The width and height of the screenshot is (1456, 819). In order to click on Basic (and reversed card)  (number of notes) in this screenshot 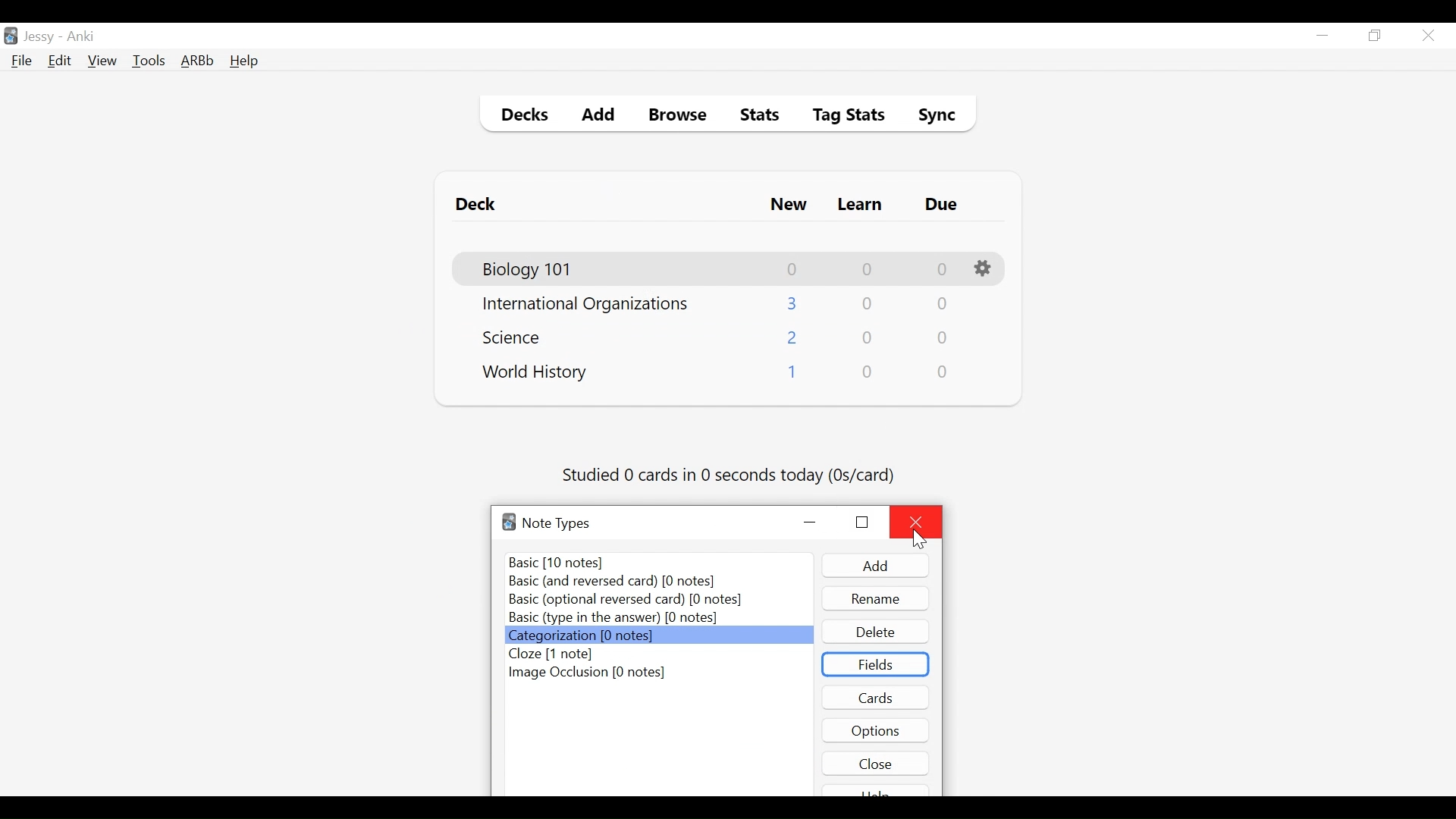, I will do `click(620, 582)`.